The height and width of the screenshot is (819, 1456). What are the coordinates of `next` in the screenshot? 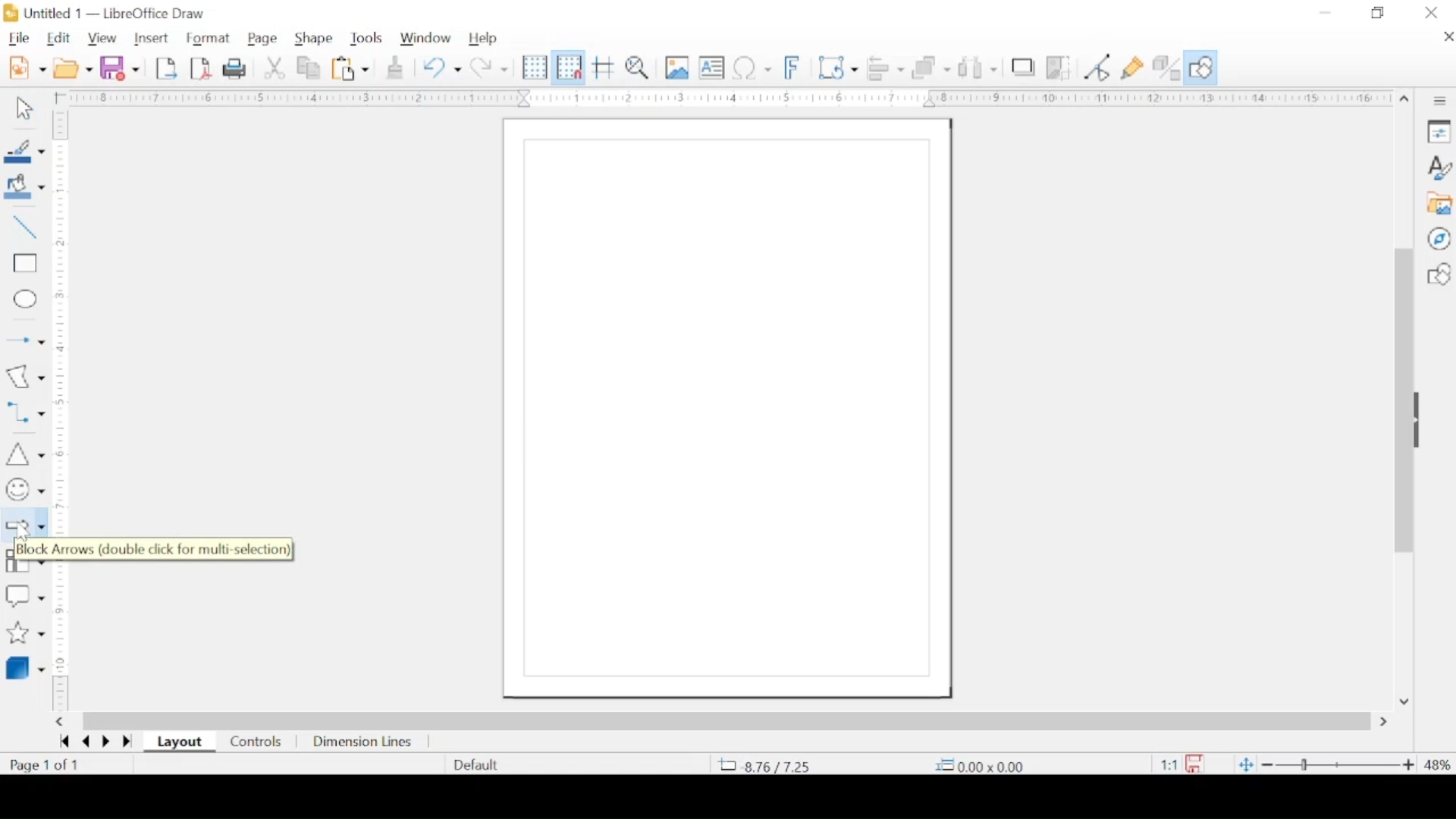 It's located at (105, 742).